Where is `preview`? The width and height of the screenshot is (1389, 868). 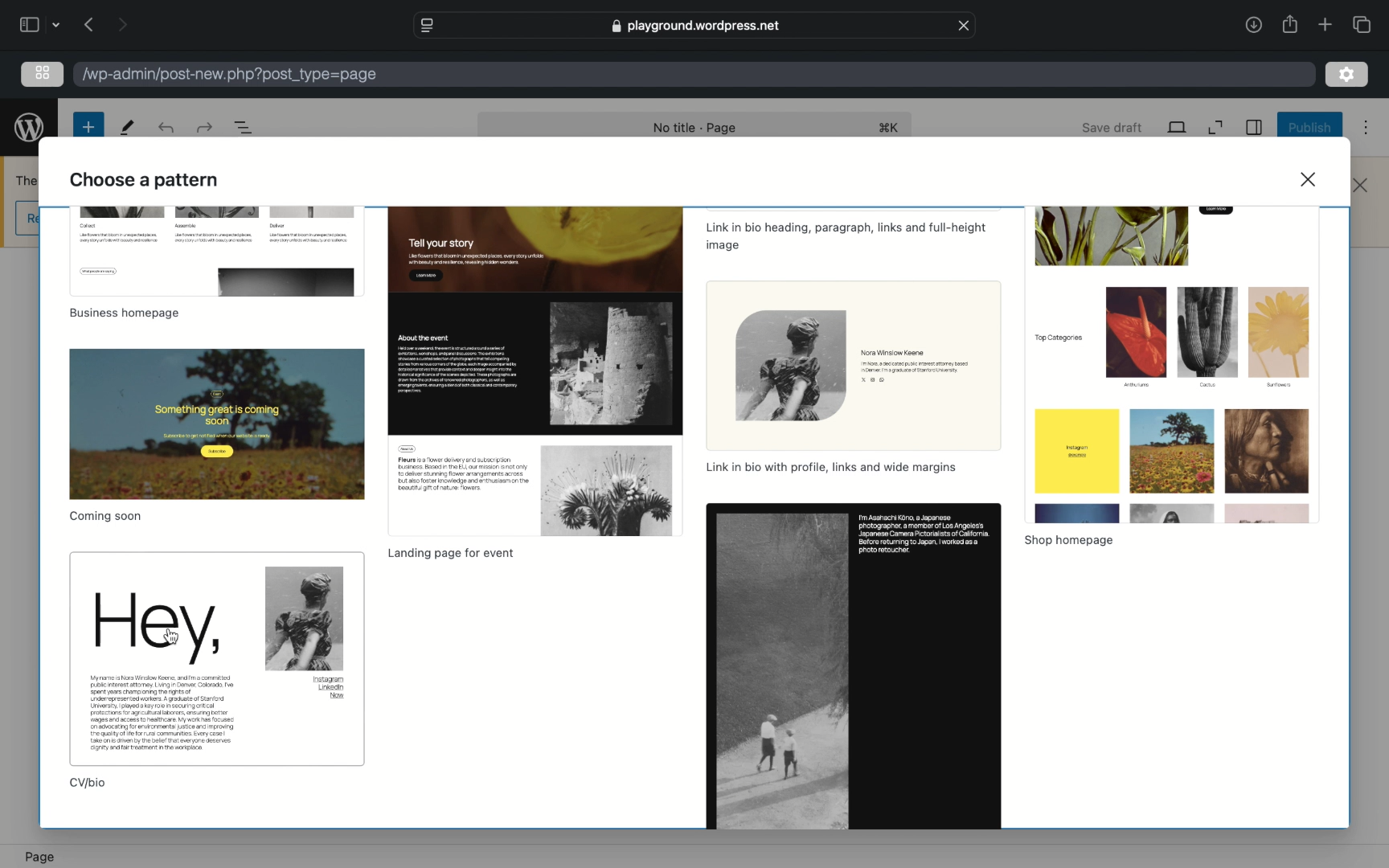
preview is located at coordinates (535, 371).